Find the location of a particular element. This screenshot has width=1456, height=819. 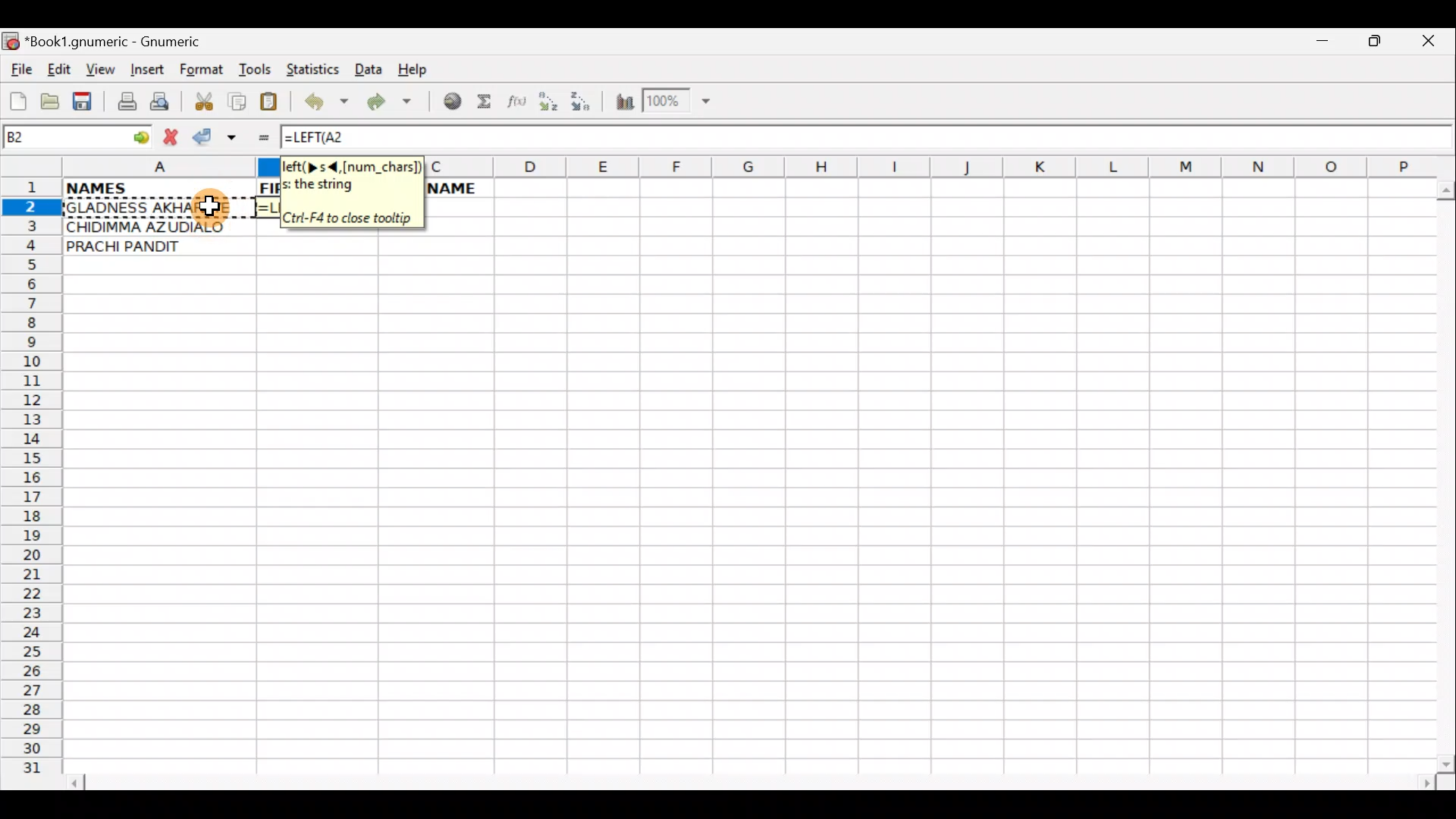

Undo last action is located at coordinates (328, 104).